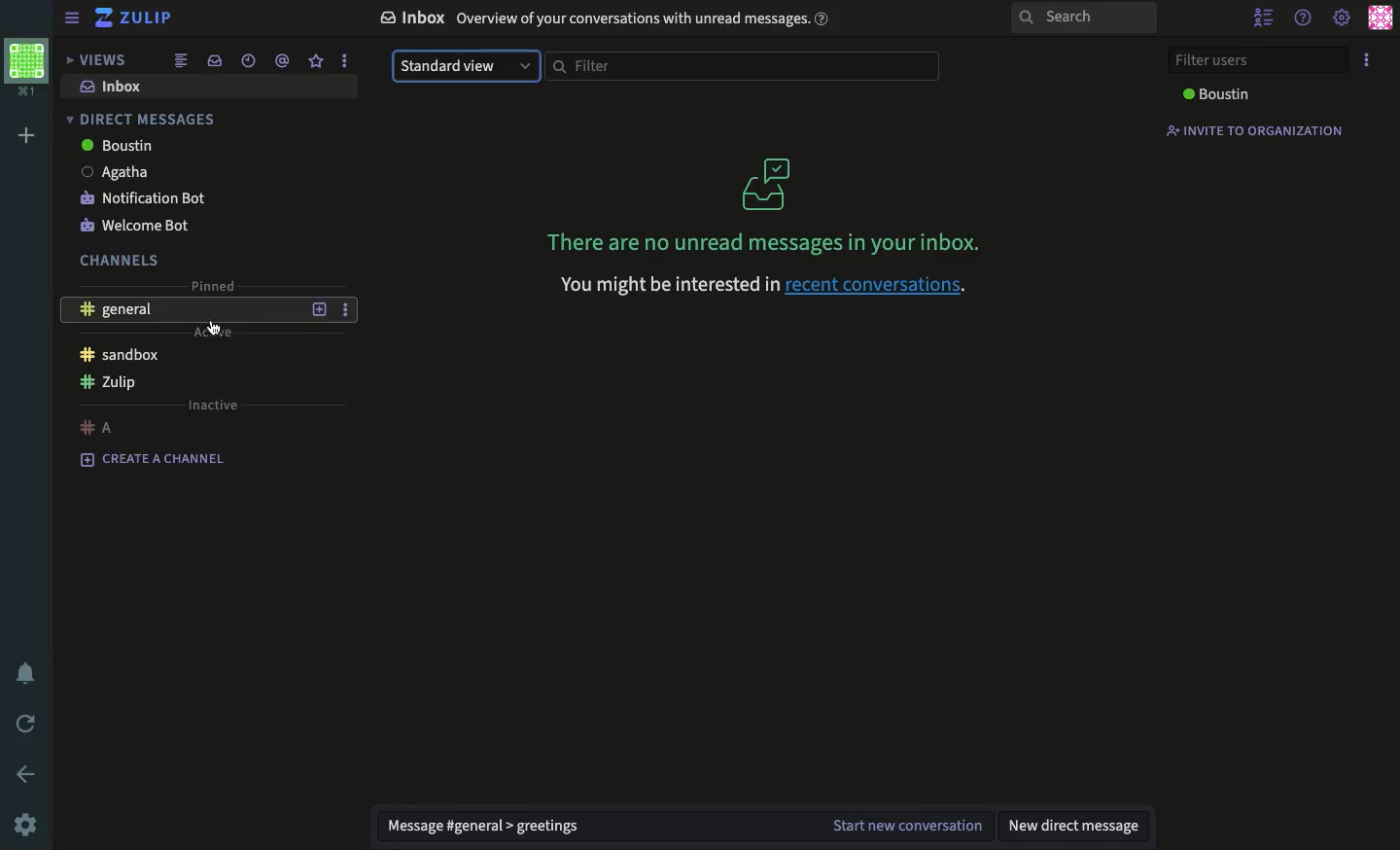  What do you see at coordinates (134, 18) in the screenshot?
I see `Zulip` at bounding box center [134, 18].